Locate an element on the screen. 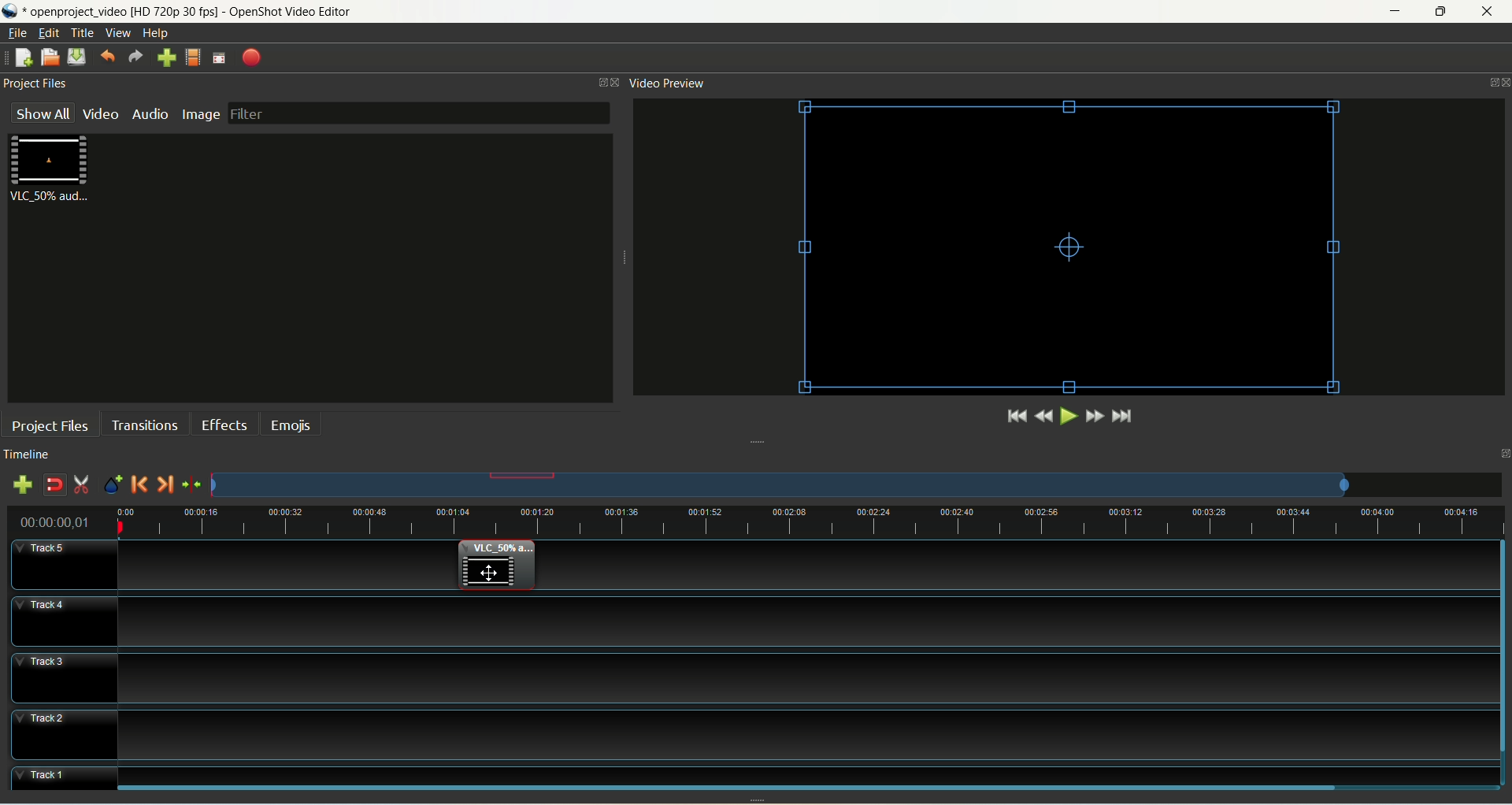 This screenshot has height=805, width=1512. close is located at coordinates (1487, 12).